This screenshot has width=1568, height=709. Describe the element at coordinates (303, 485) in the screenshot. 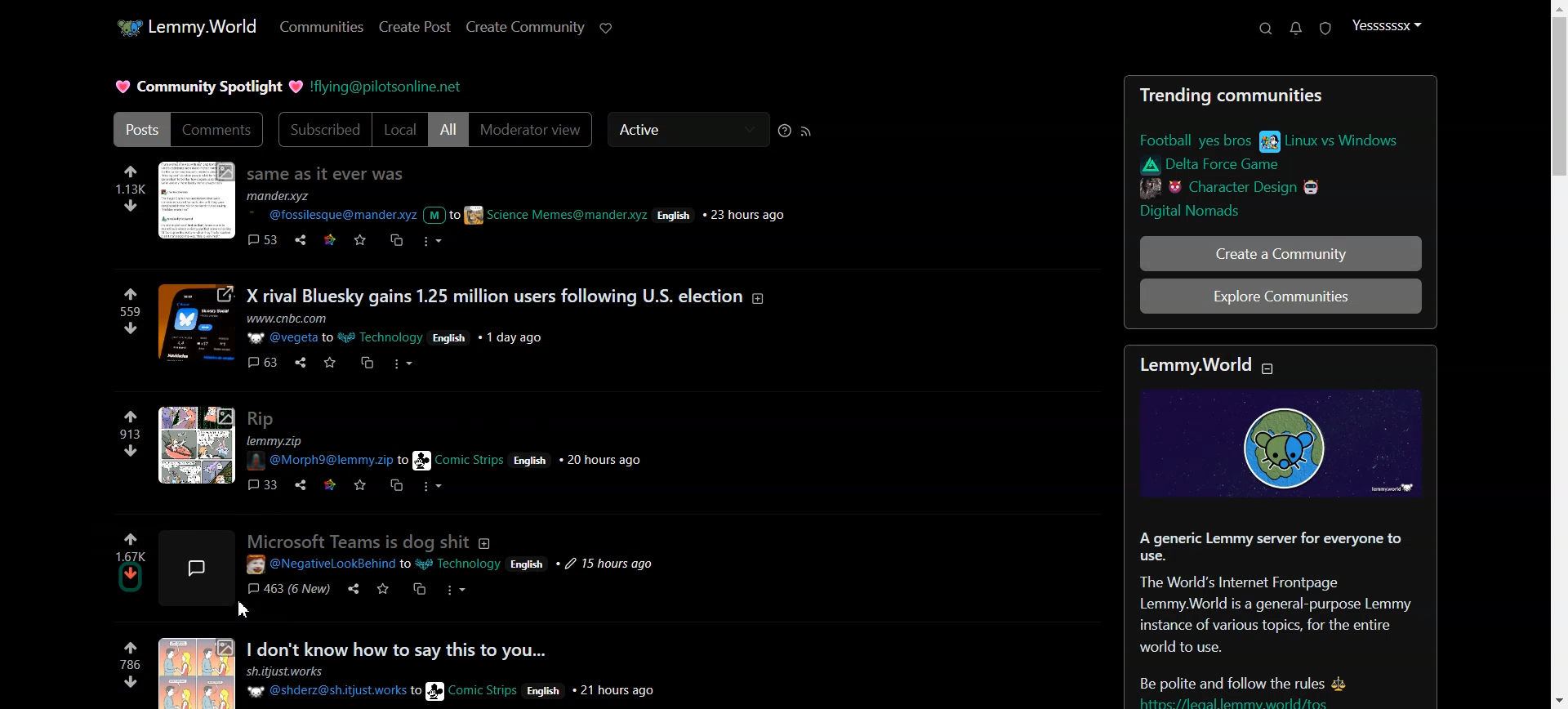

I see `share` at that location.